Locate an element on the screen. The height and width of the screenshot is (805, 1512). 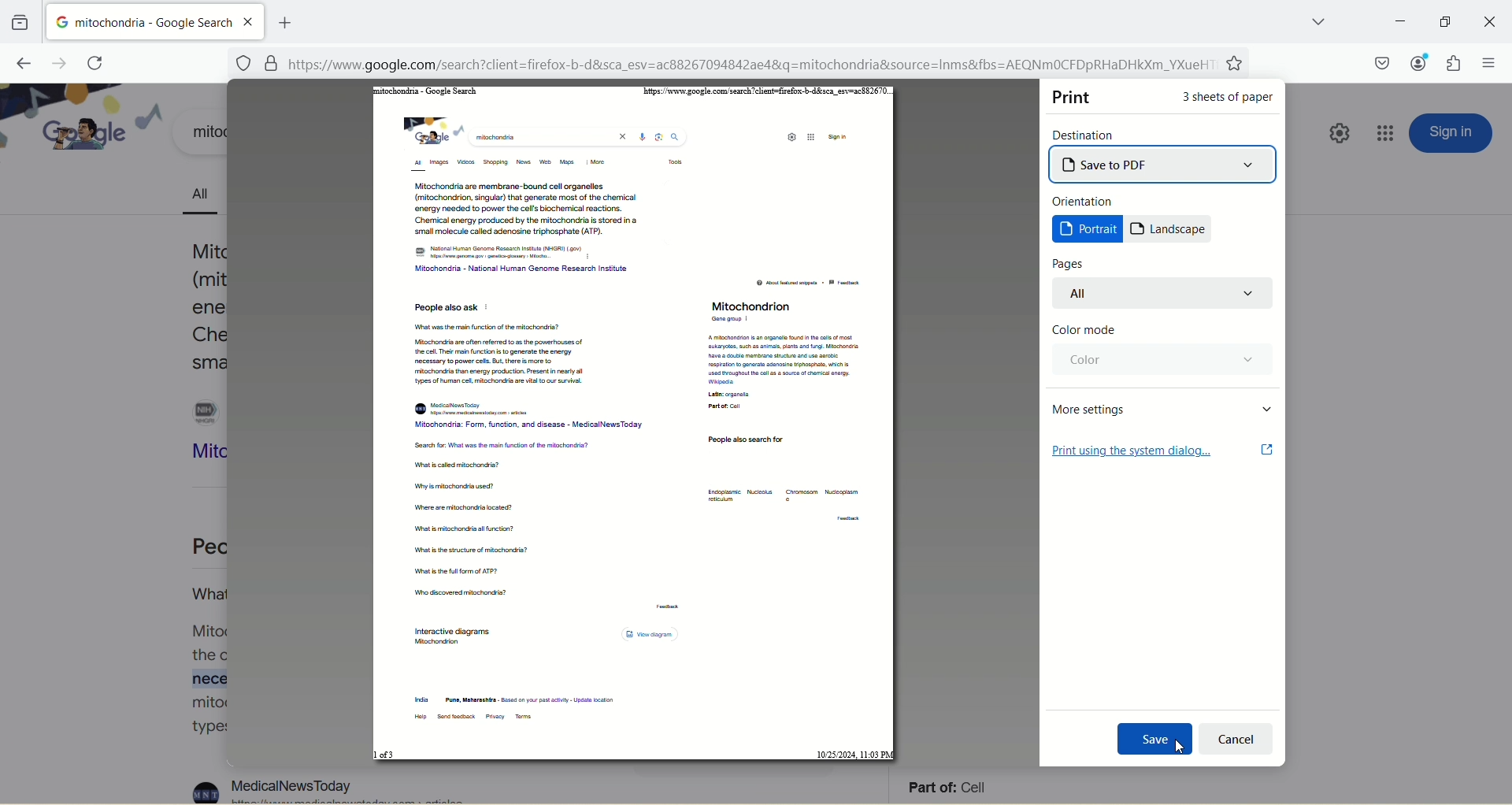
quick setting is located at coordinates (1336, 136).